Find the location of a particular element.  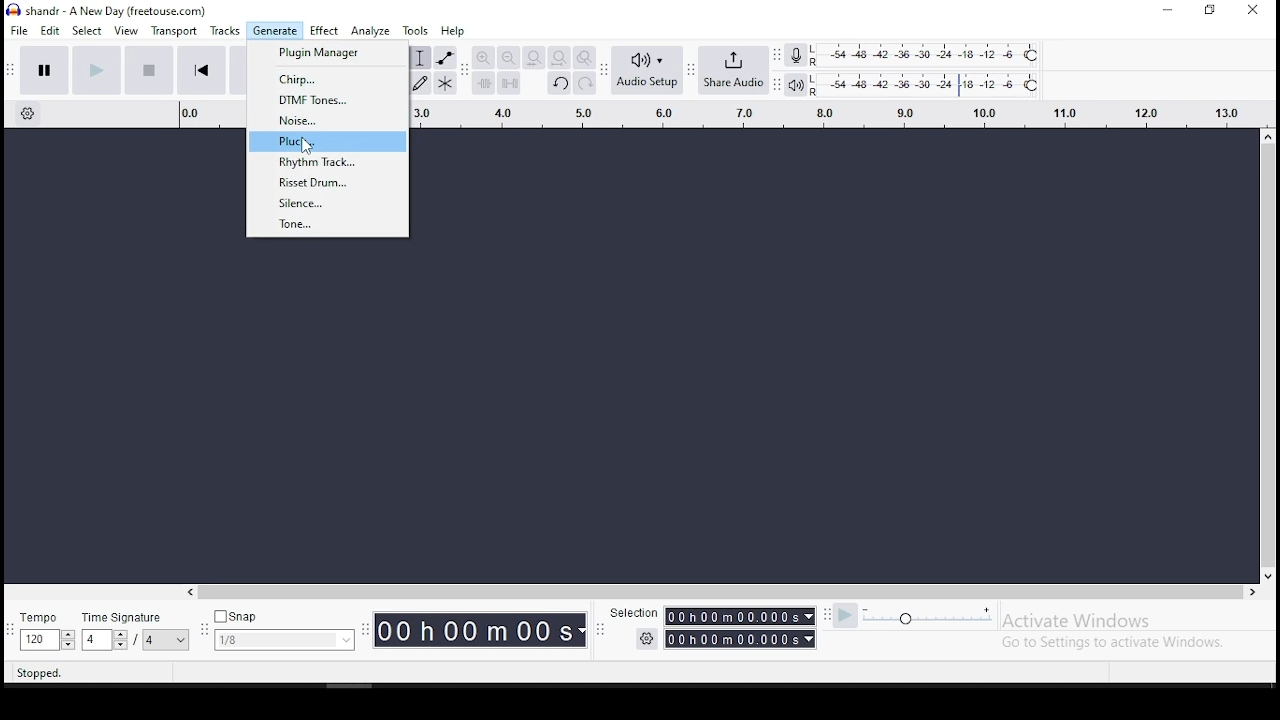

00 h 00m 00 Ss is located at coordinates (481, 630).